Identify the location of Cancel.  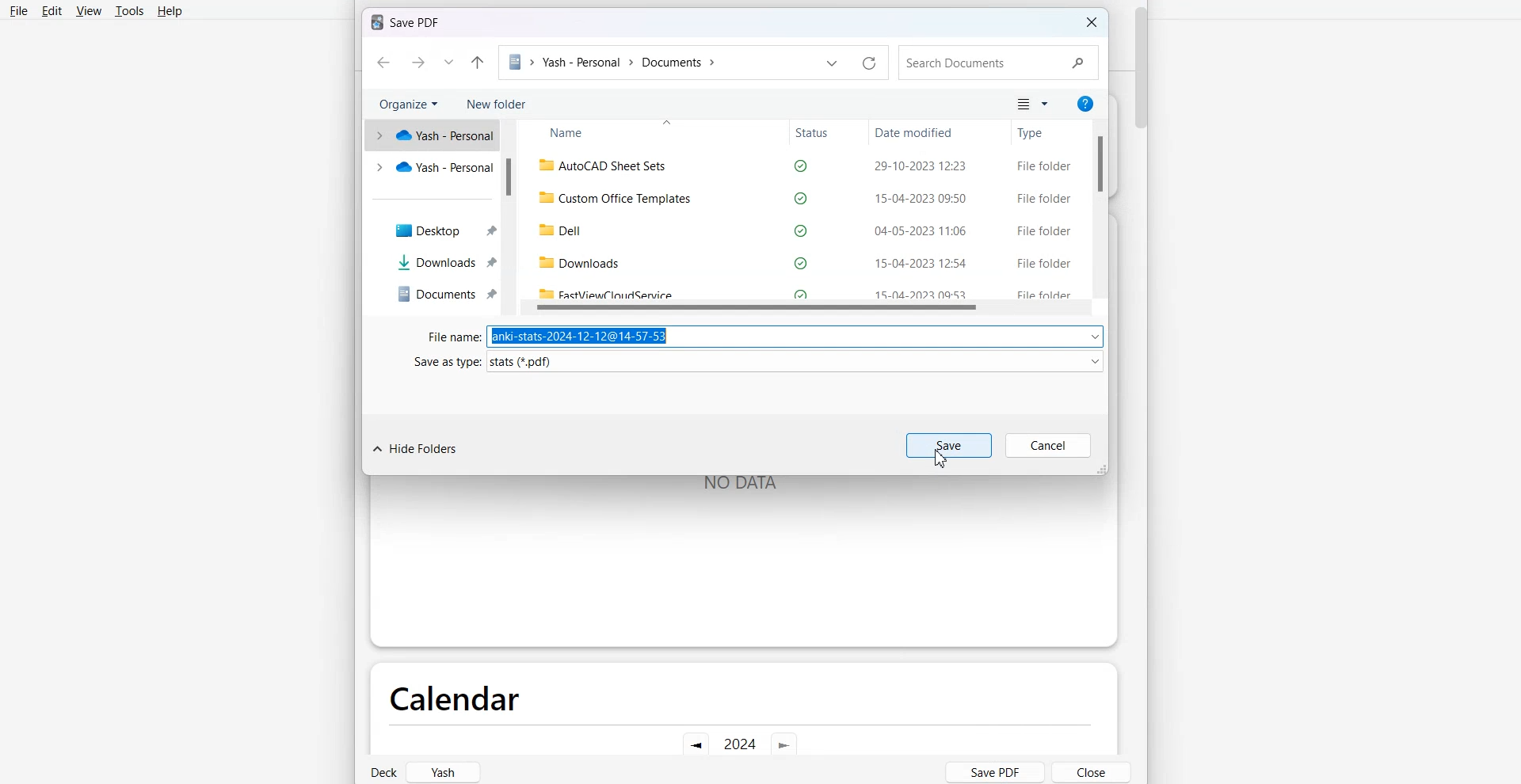
(1049, 445).